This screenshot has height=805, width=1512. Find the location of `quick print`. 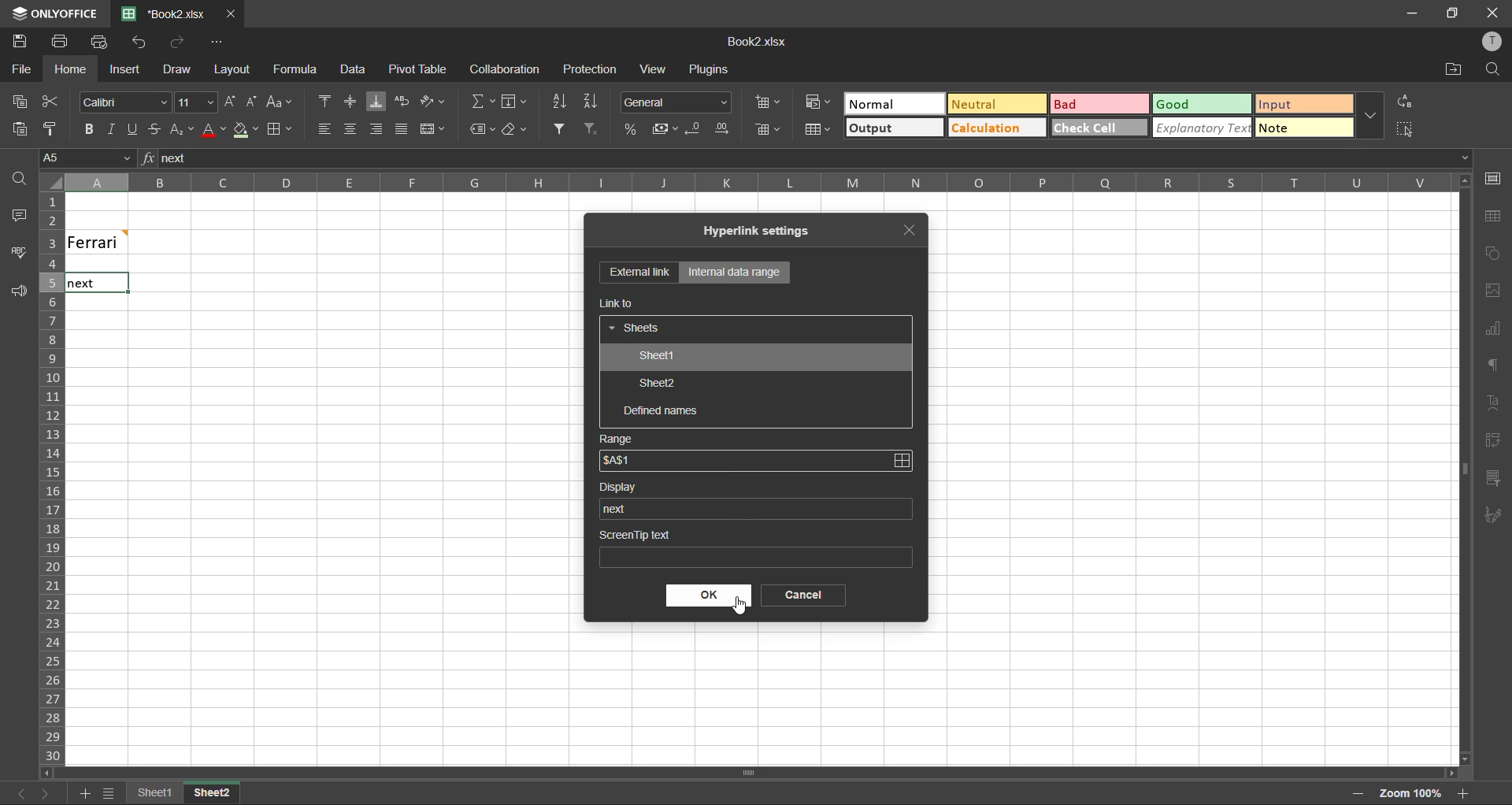

quick print is located at coordinates (99, 41).